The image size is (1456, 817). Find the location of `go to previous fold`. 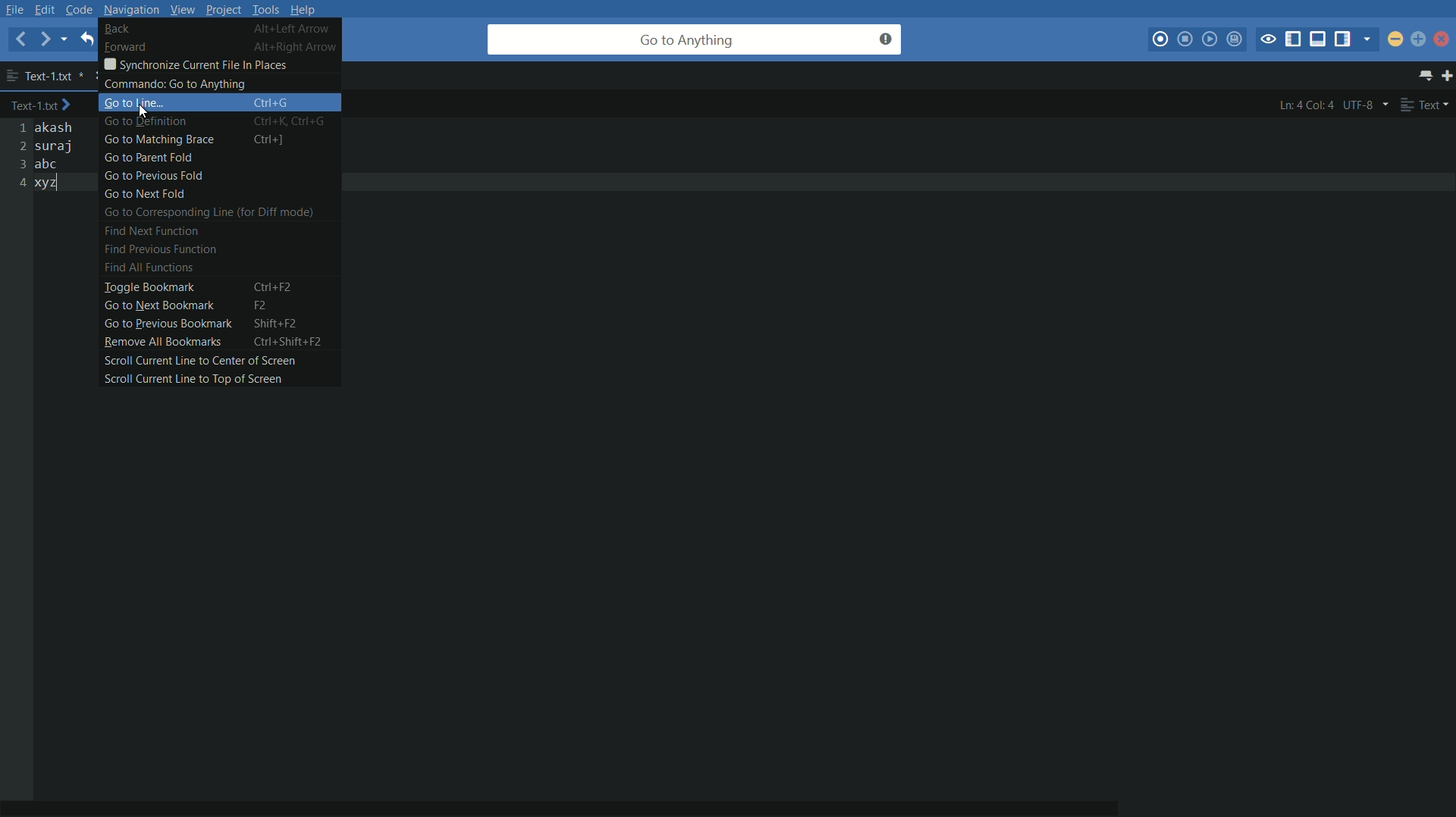

go to previous fold is located at coordinates (152, 177).